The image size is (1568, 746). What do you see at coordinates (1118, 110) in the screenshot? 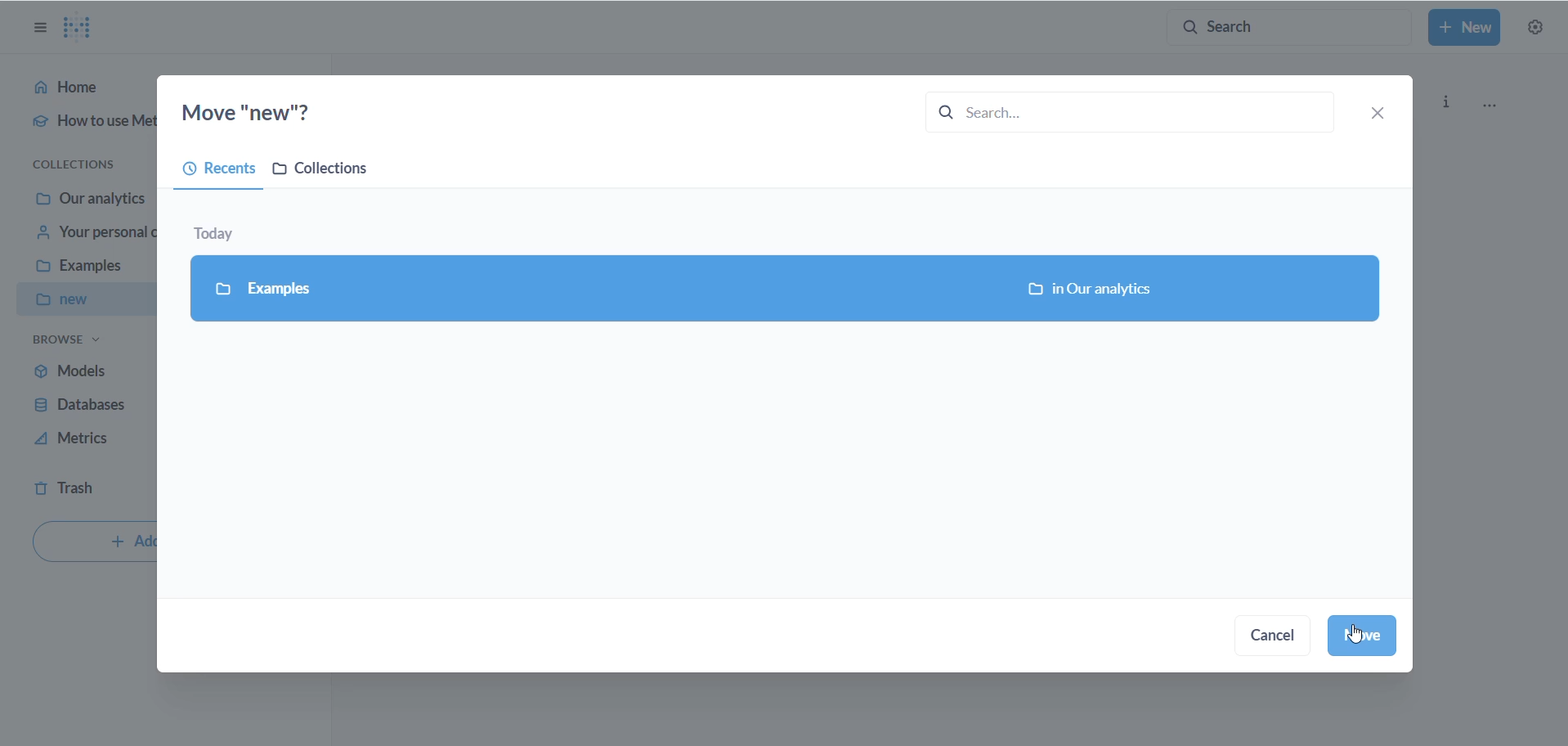
I see `SEARCH` at bounding box center [1118, 110].